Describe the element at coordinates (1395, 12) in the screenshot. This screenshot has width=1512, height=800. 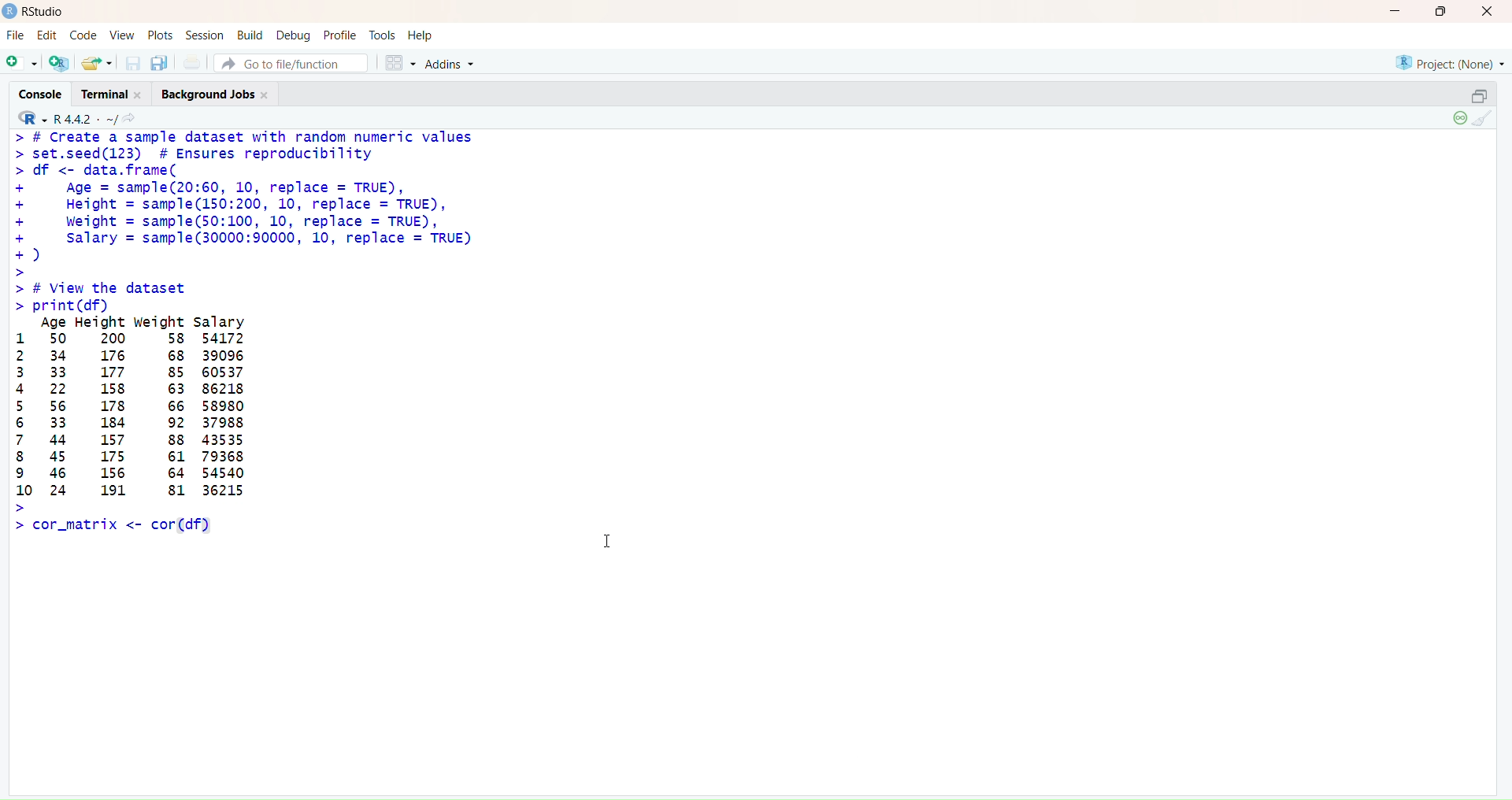
I see `Minimize` at that location.